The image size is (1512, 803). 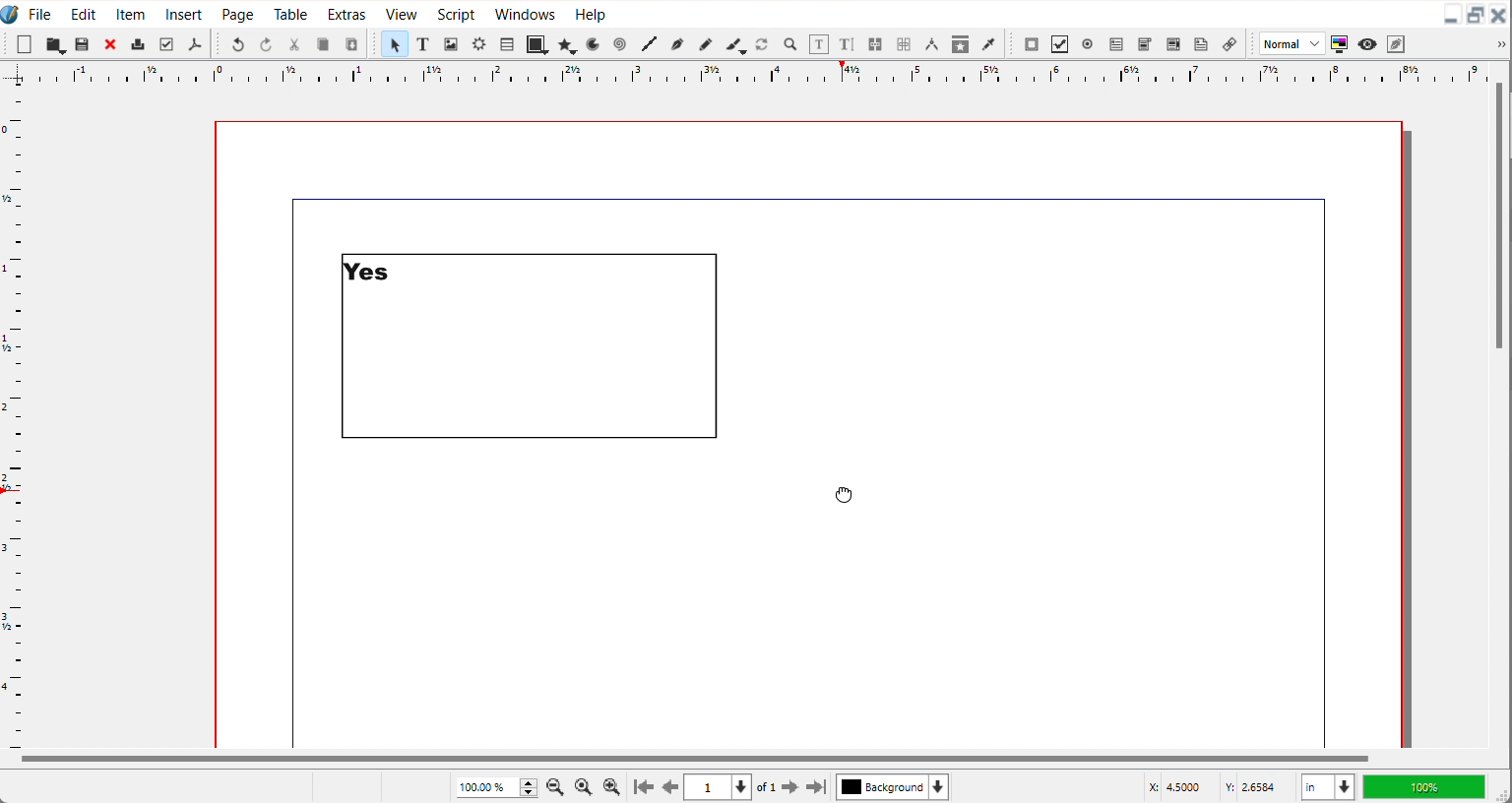 What do you see at coordinates (568, 44) in the screenshot?
I see `Polygon` at bounding box center [568, 44].